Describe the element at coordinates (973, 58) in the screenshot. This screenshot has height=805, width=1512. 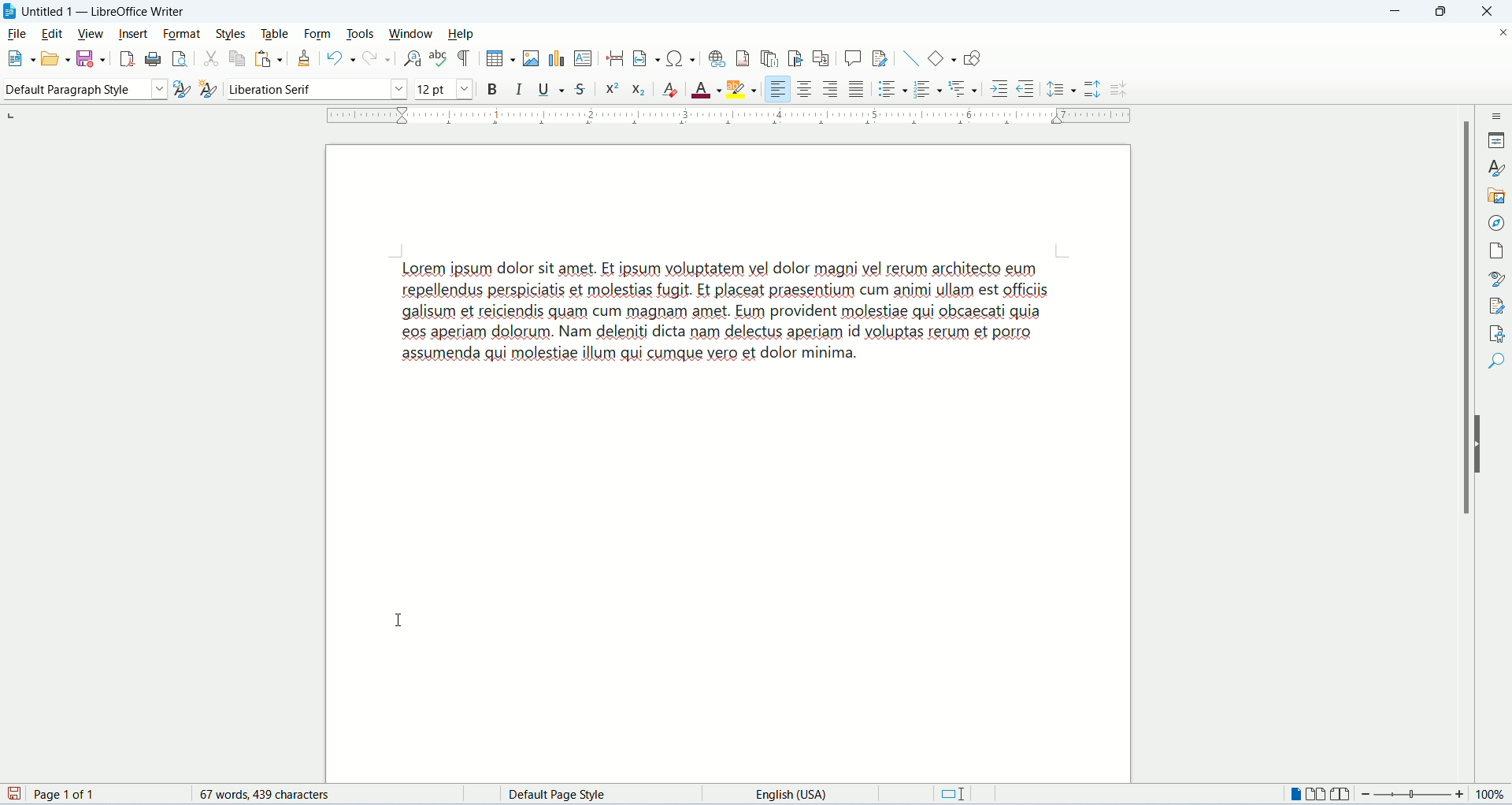
I see `draw function` at that location.